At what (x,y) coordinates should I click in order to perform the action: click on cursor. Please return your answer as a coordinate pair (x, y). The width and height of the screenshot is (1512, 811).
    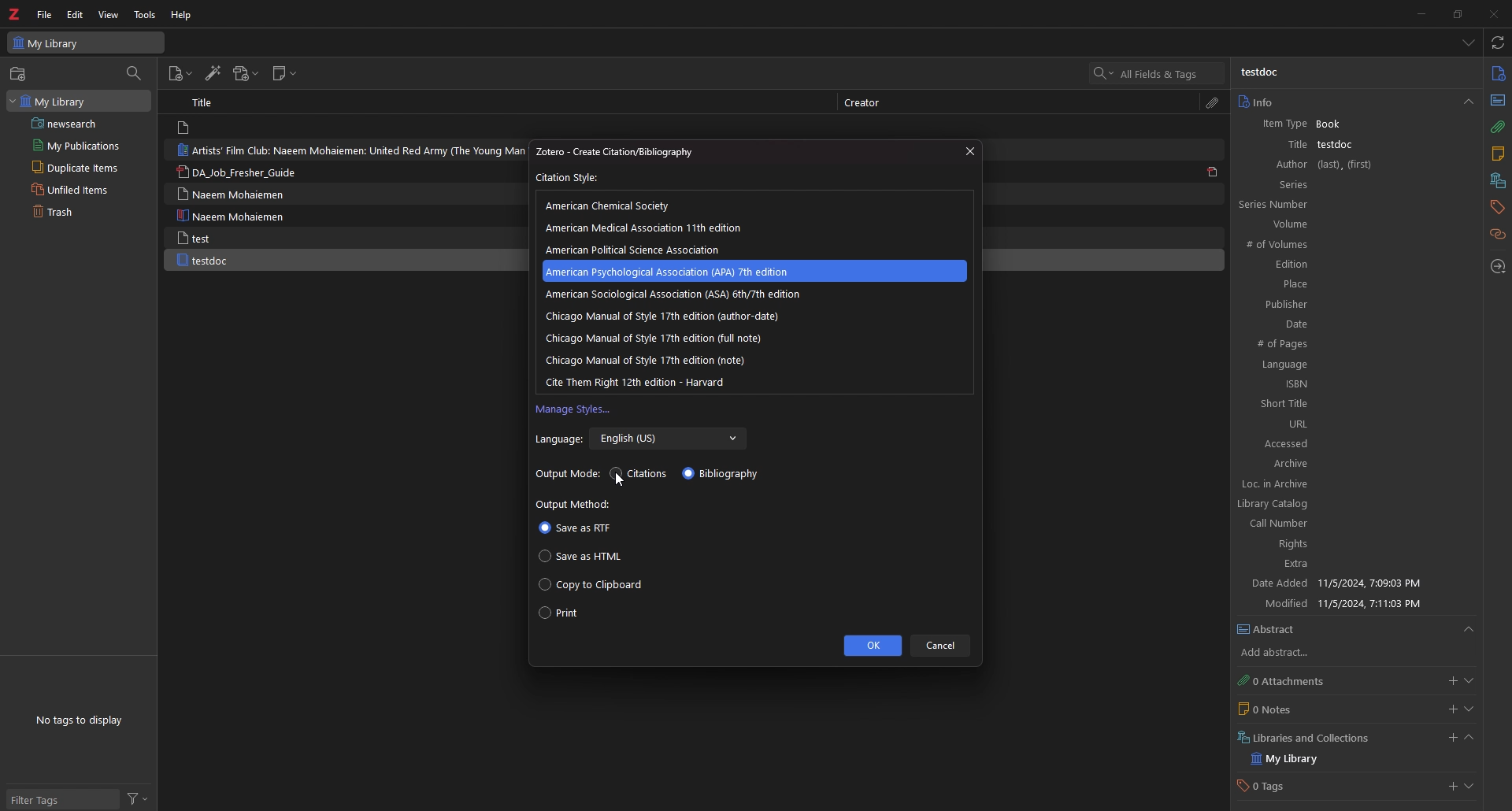
    Looking at the image, I should click on (619, 481).